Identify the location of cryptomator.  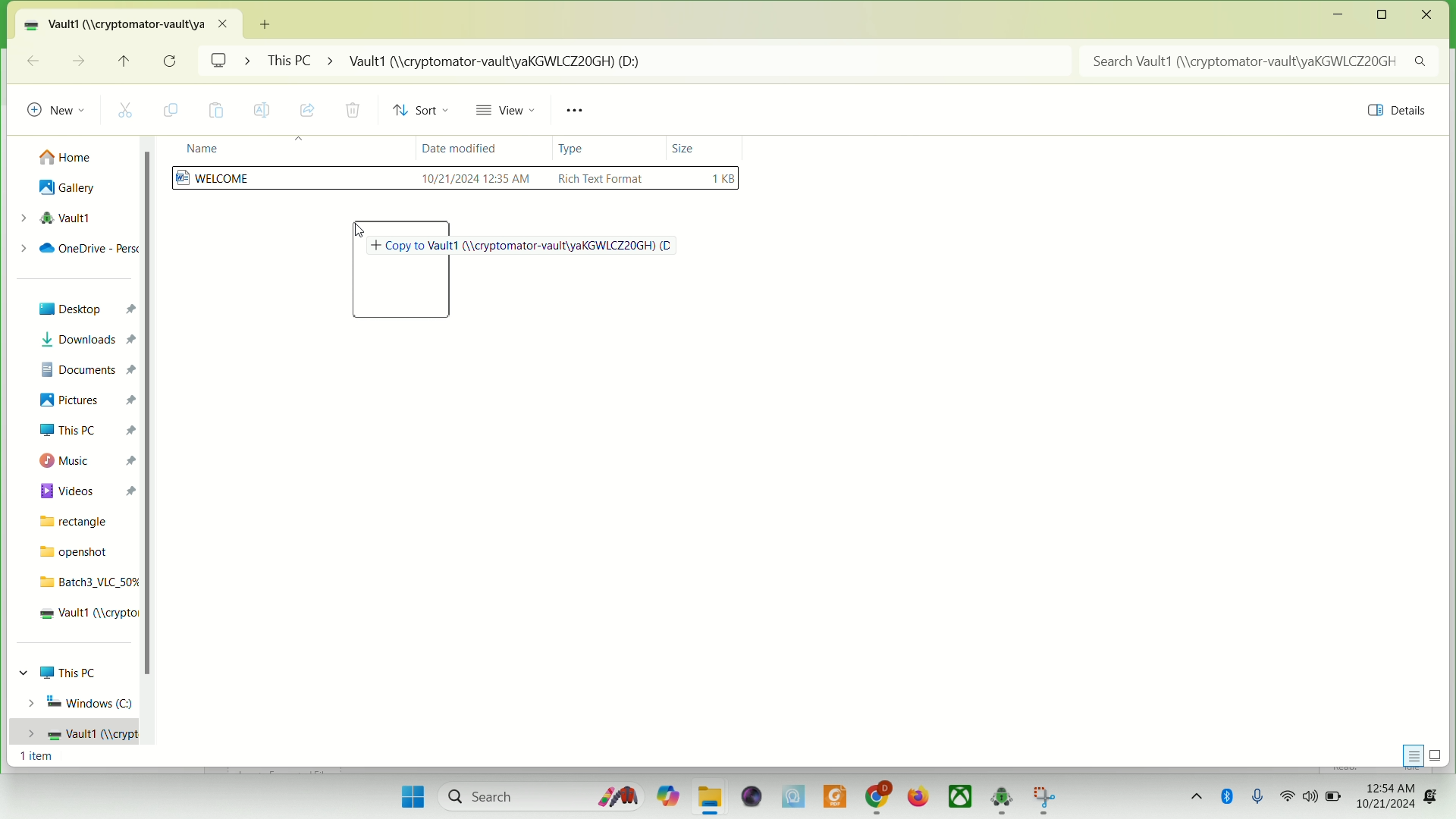
(1002, 798).